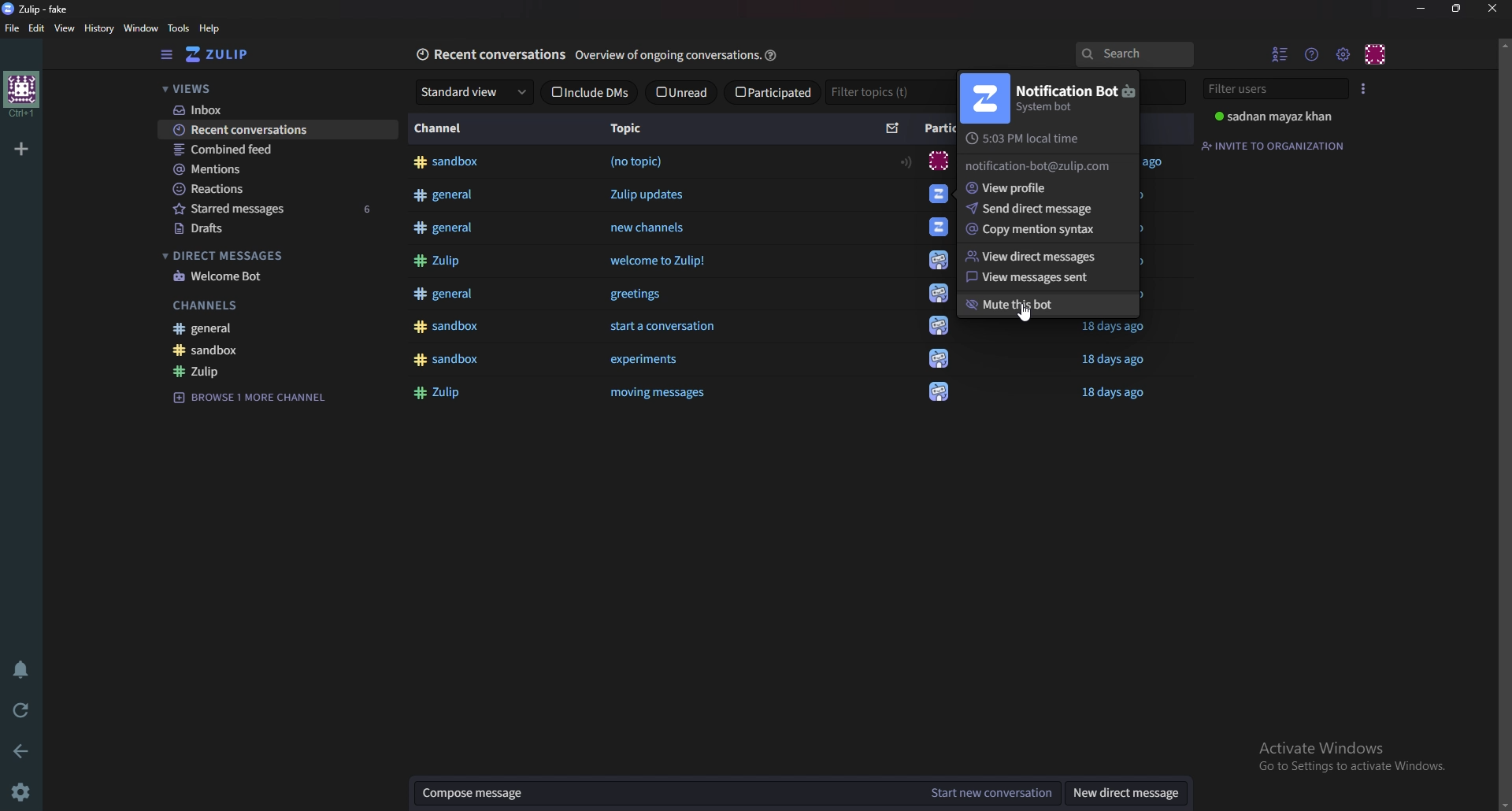 The image size is (1512, 811). I want to click on sort by unread message count, so click(893, 127).